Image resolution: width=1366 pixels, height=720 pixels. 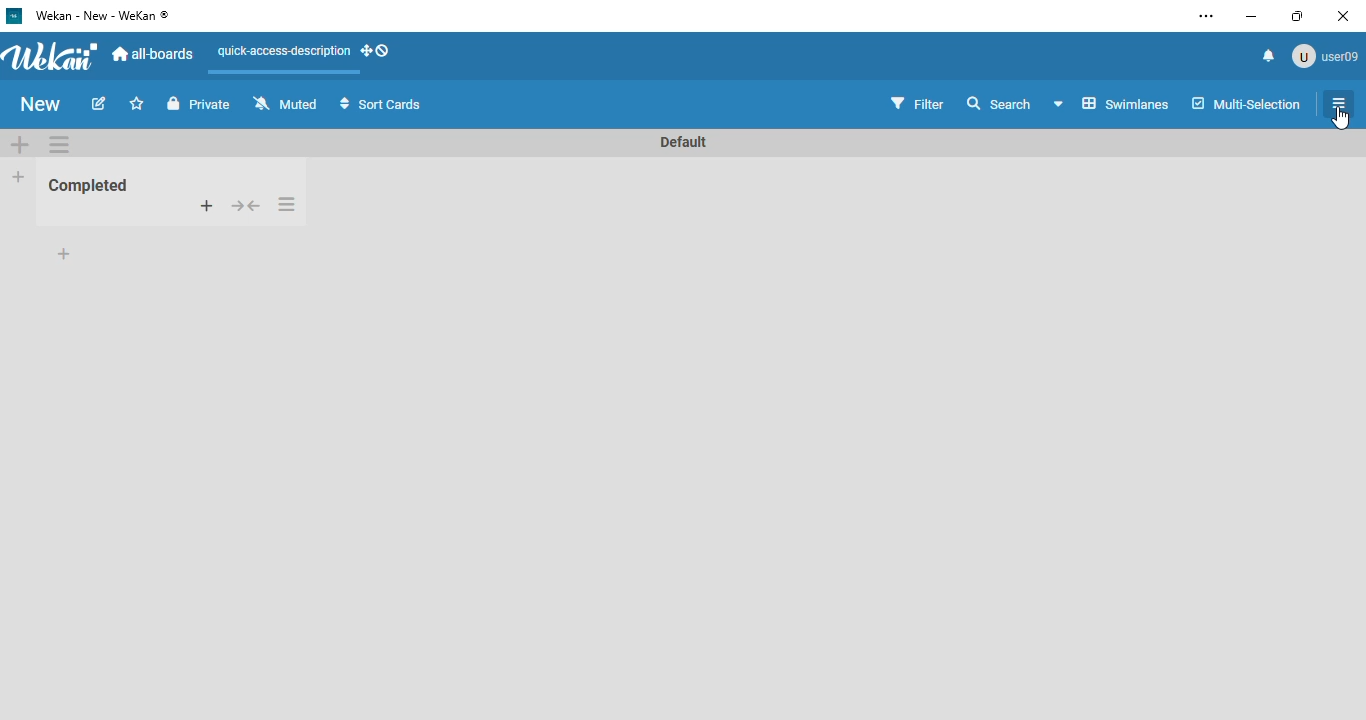 I want to click on list actions, so click(x=289, y=206).